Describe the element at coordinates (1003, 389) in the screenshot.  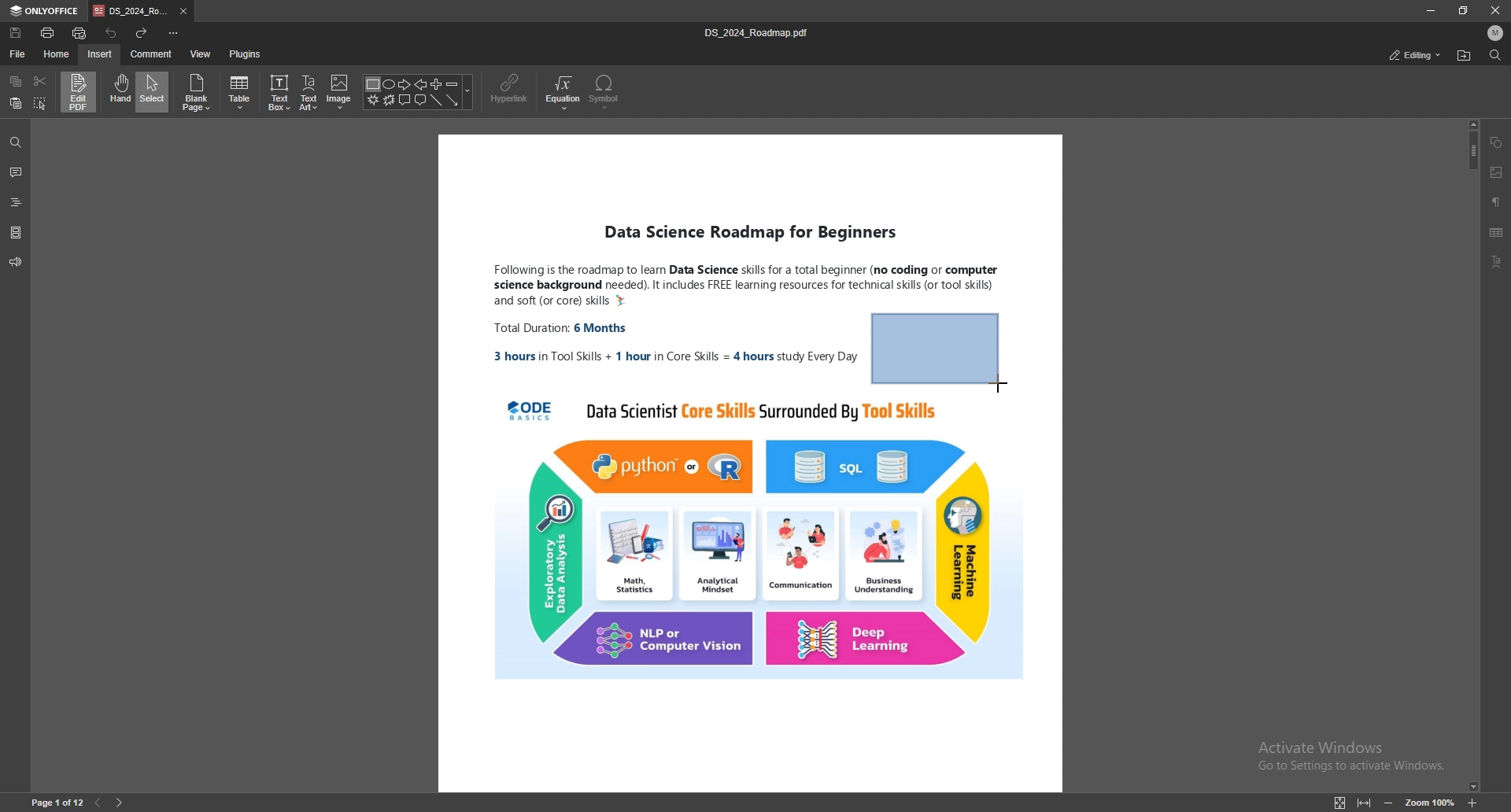
I see `cursor` at that location.